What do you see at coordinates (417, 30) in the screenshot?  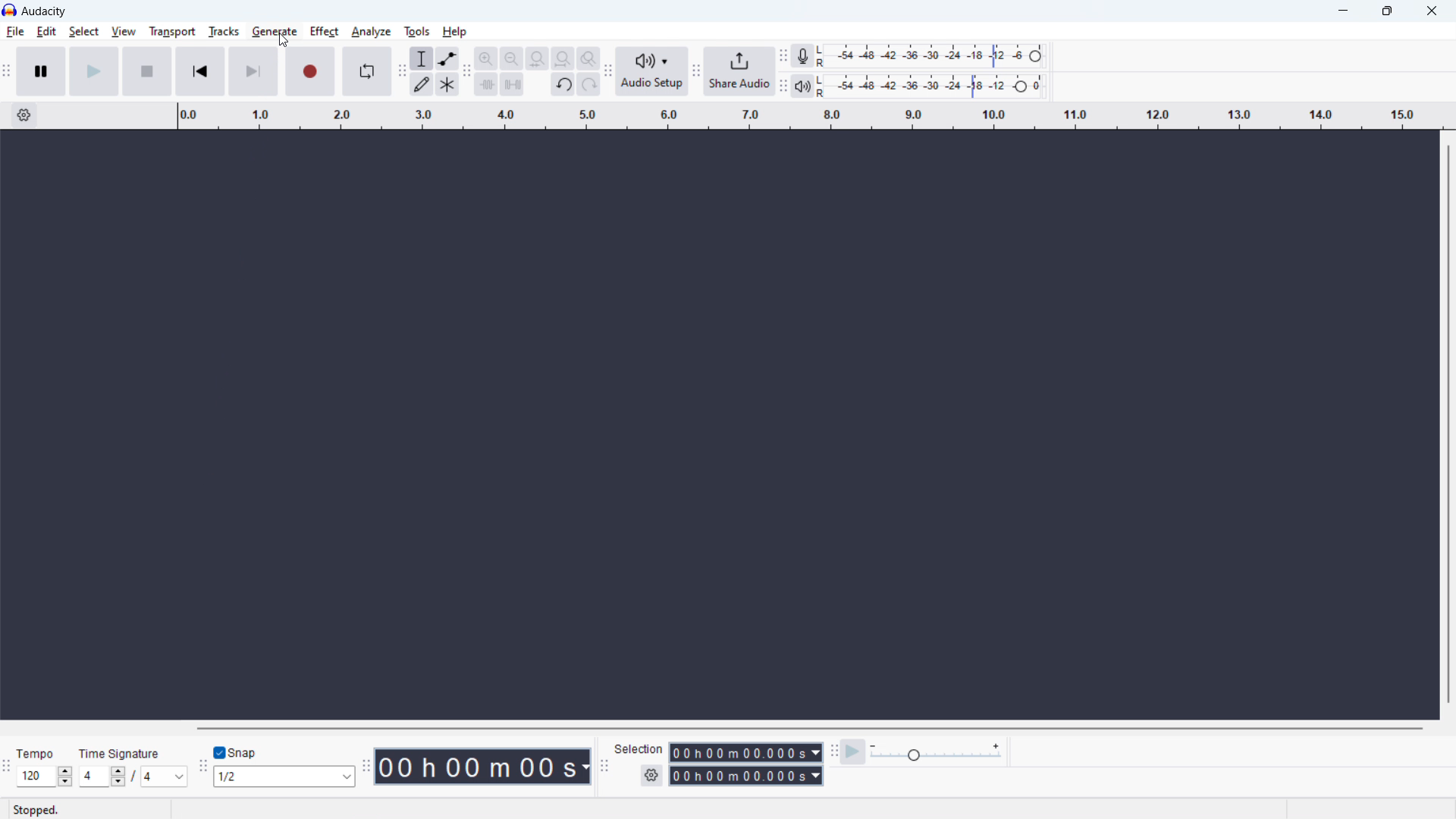 I see `tools` at bounding box center [417, 30].